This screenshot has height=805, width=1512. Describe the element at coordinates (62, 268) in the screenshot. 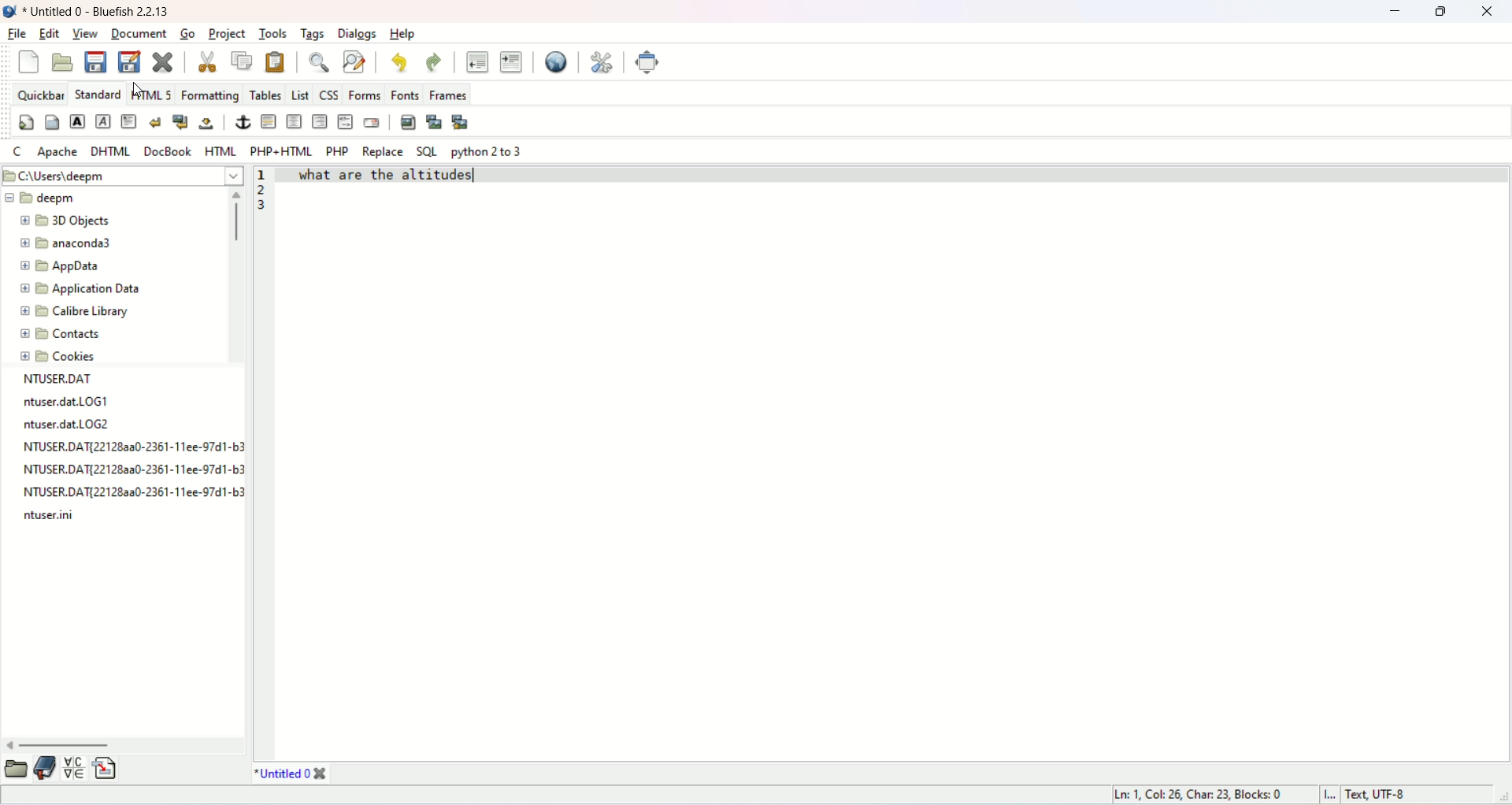

I see `app data` at that location.